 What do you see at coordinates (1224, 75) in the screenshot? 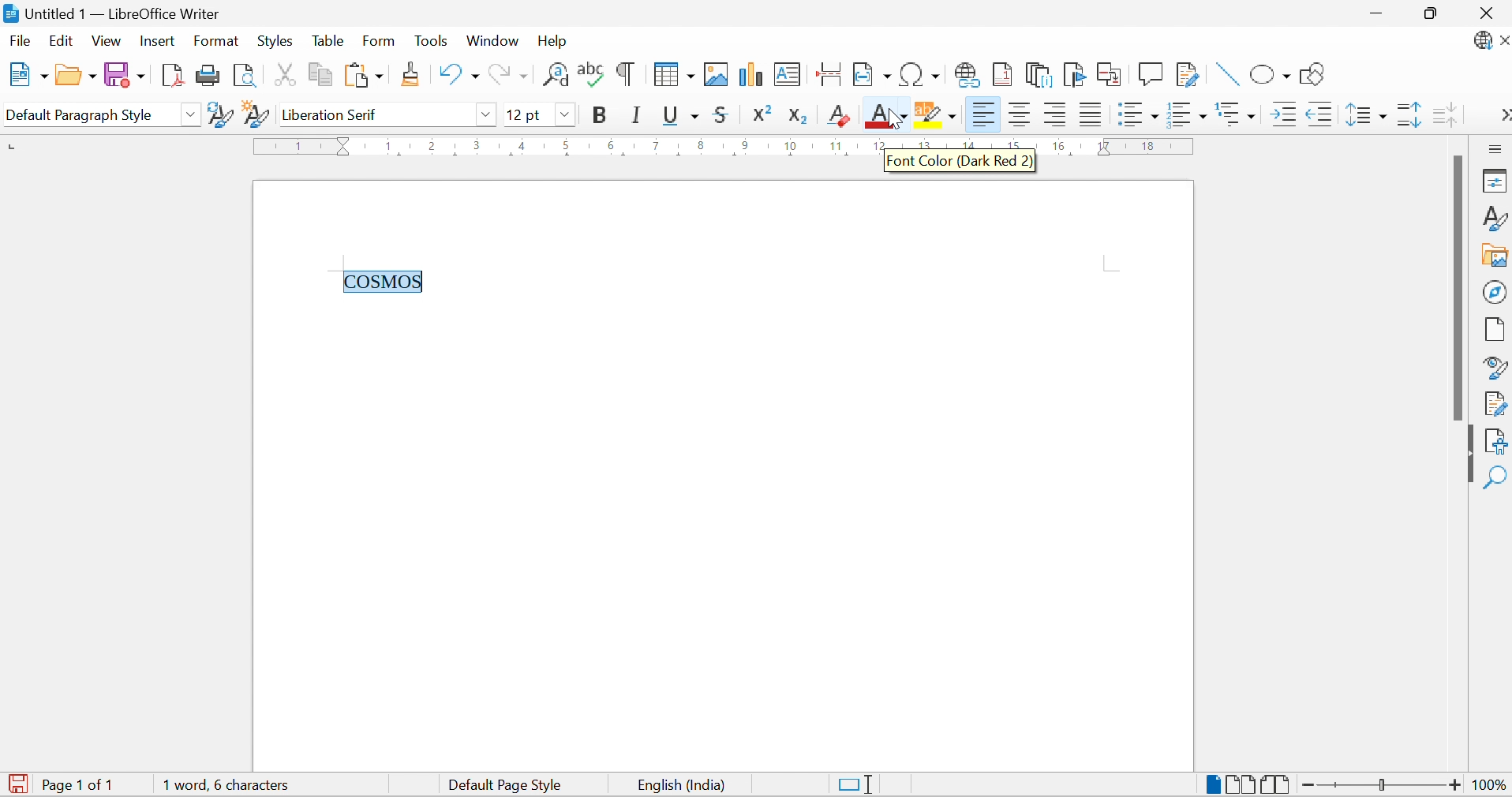
I see `Insert Line` at bounding box center [1224, 75].